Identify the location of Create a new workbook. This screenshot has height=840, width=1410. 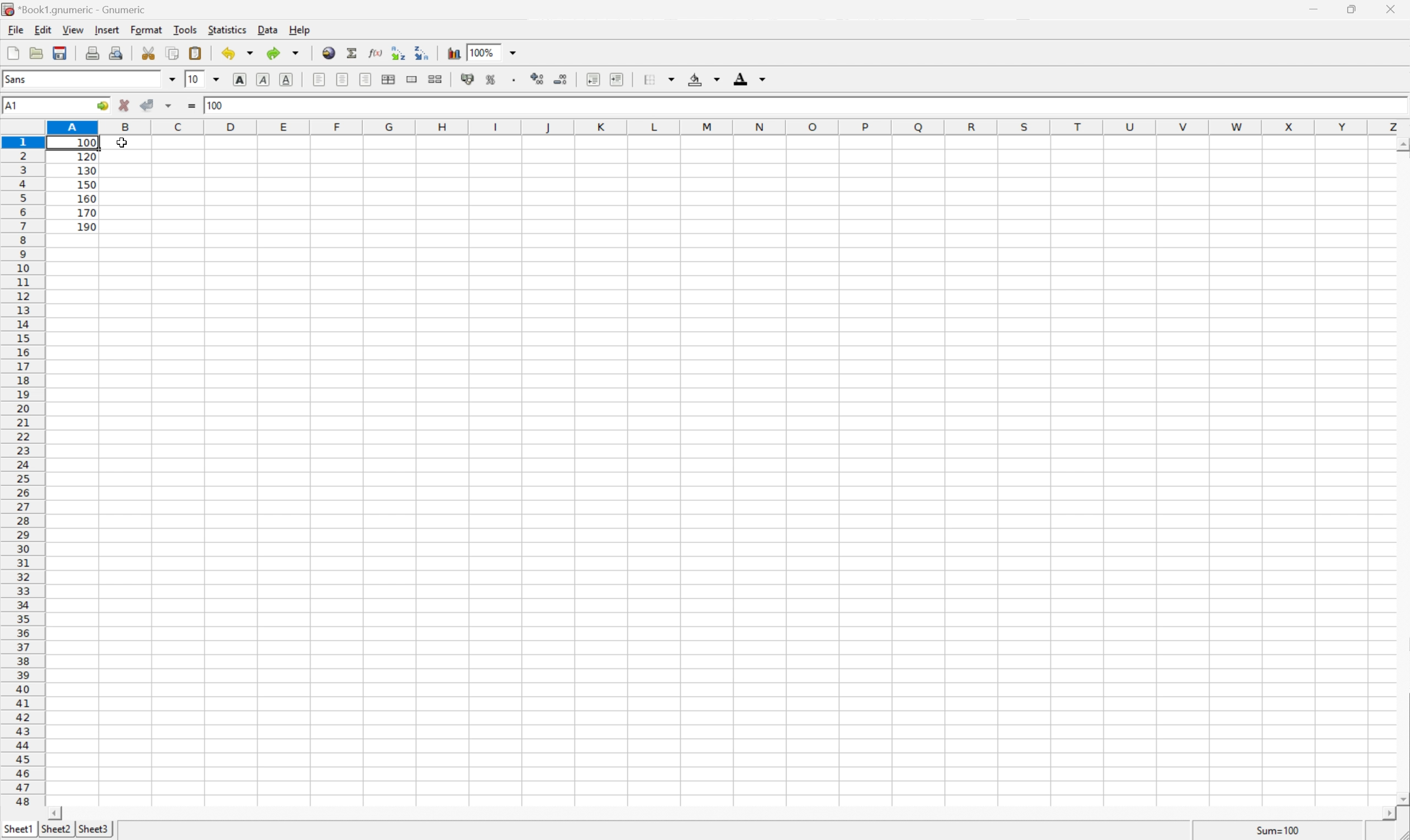
(11, 53).